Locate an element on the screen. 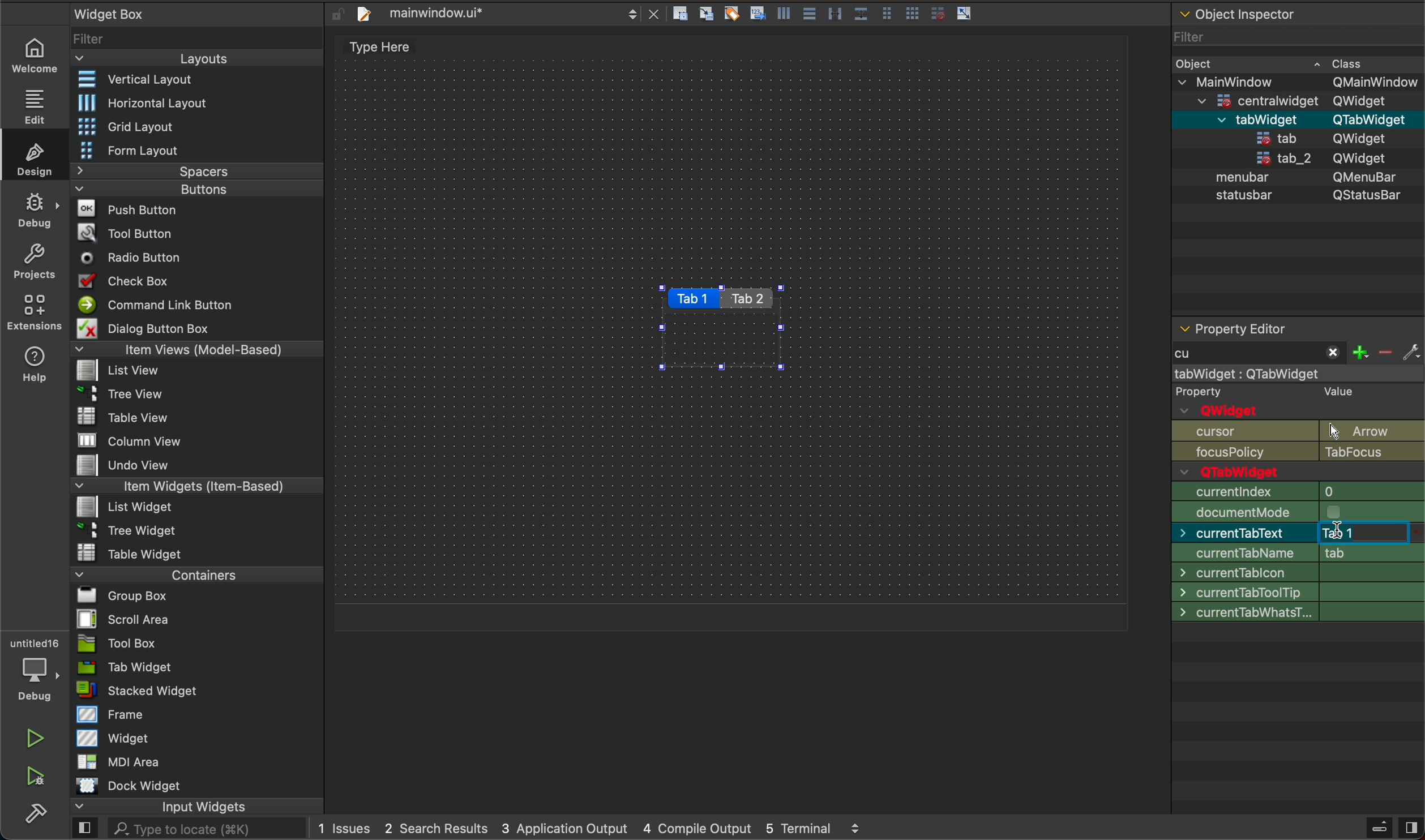 The width and height of the screenshot is (1425, 840). typed cu is located at coordinates (1258, 354).